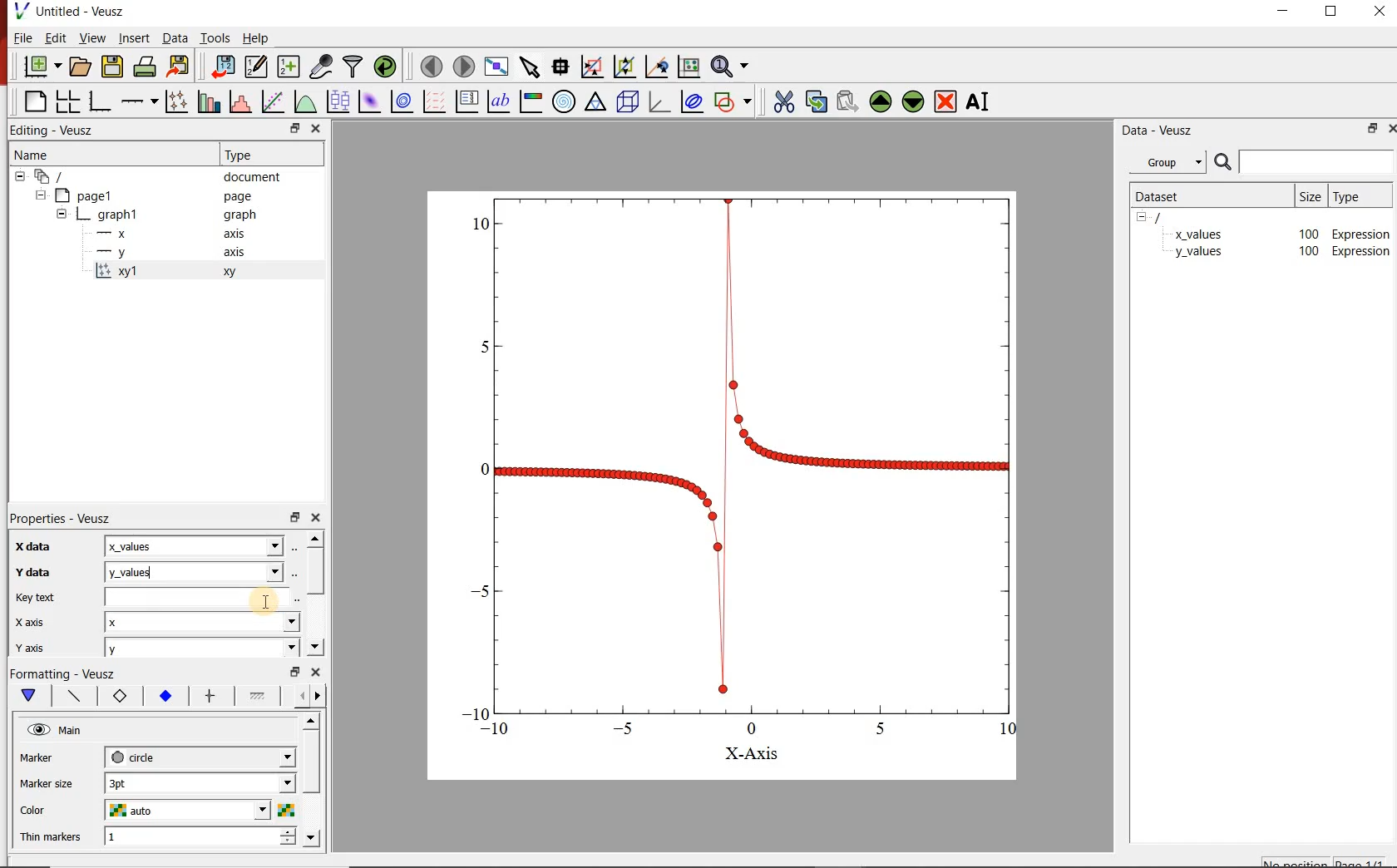 The image size is (1397, 868). I want to click on save, so click(113, 66).